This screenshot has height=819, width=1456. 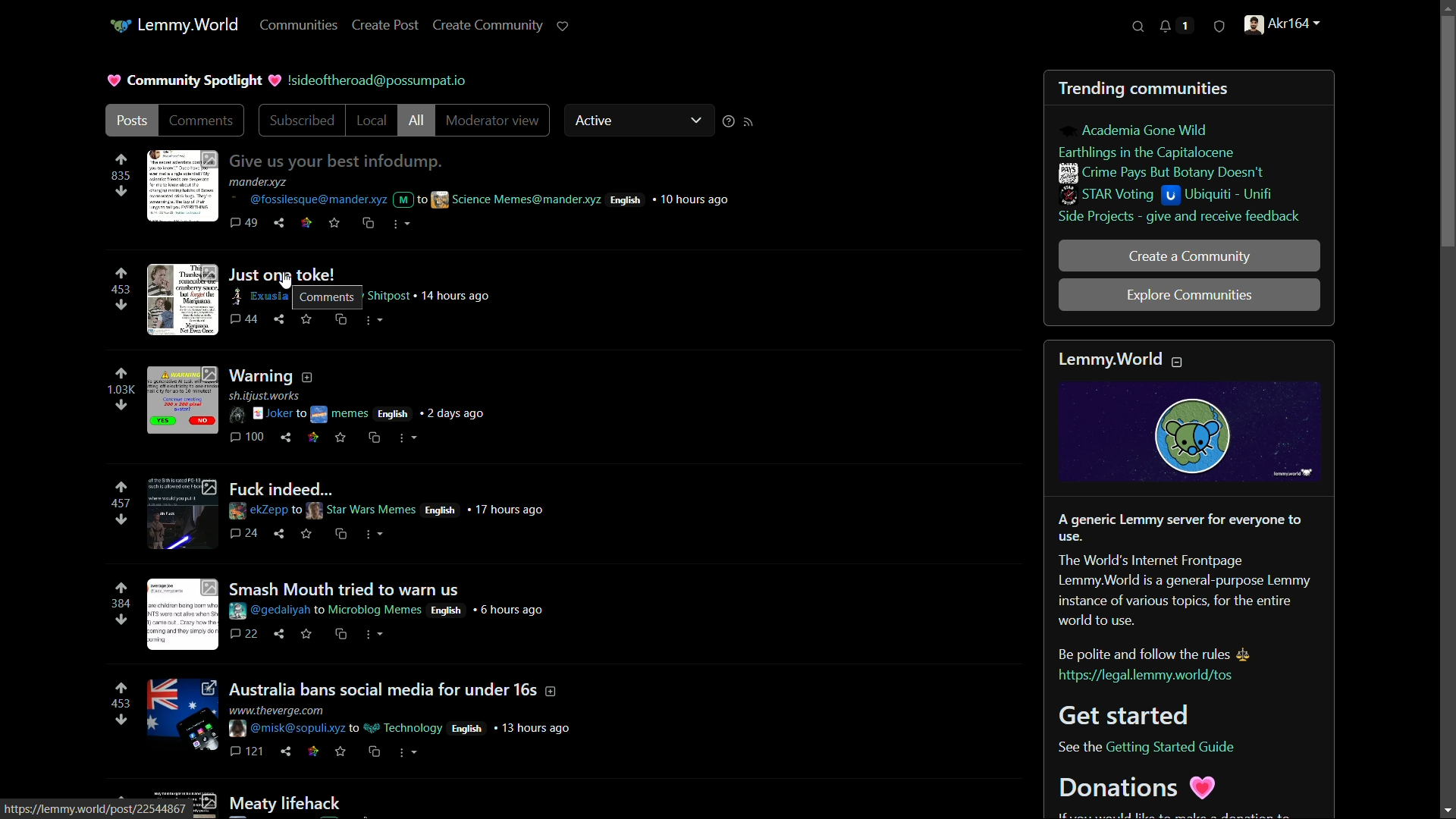 I want to click on to, so click(x=298, y=510).